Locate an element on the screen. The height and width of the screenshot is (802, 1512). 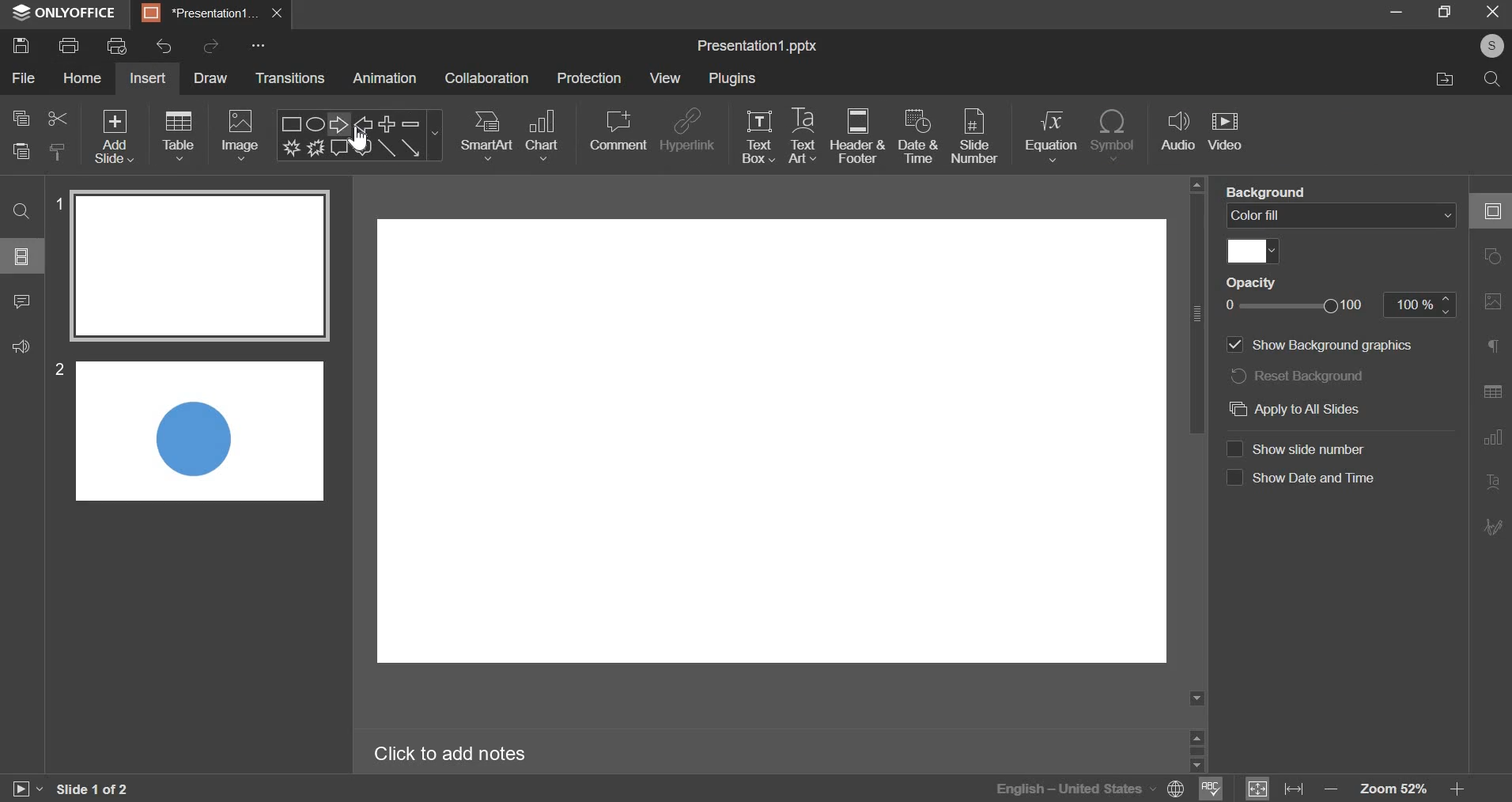
2 is located at coordinates (59, 370).